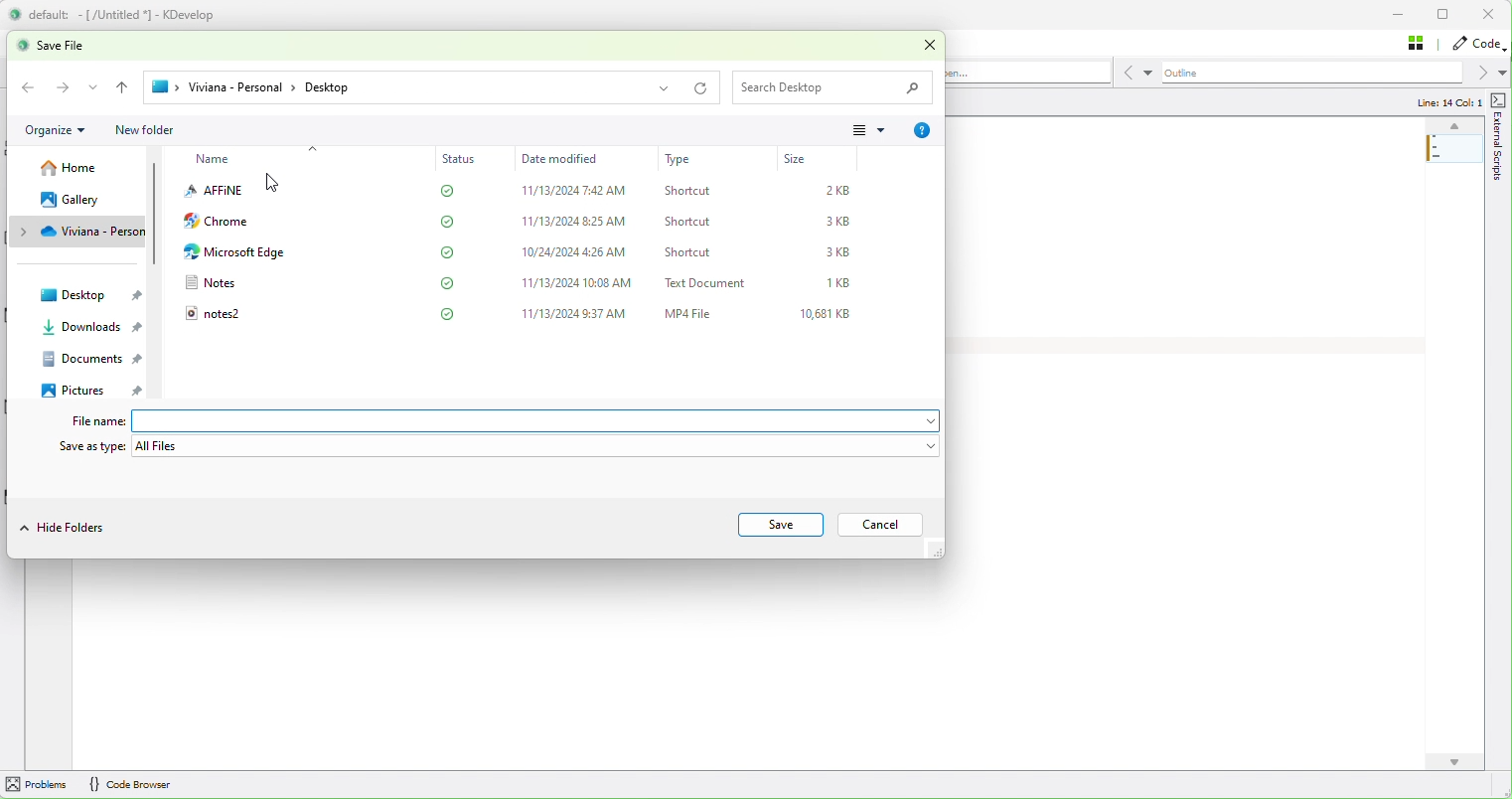 This screenshot has height=799, width=1512. What do you see at coordinates (1421, 44) in the screenshot?
I see `Stash` at bounding box center [1421, 44].